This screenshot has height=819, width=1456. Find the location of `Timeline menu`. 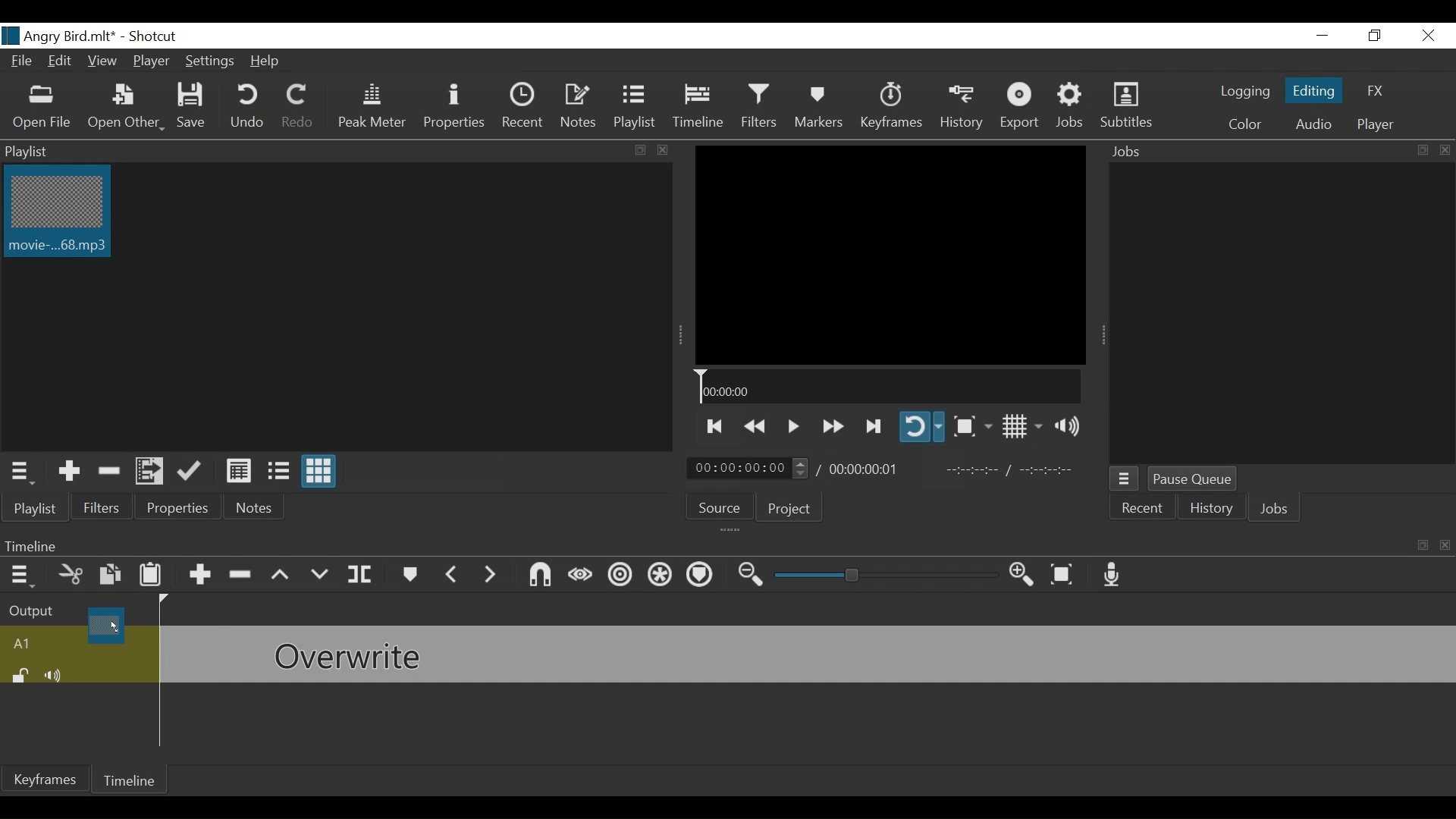

Timeline menu is located at coordinates (19, 574).